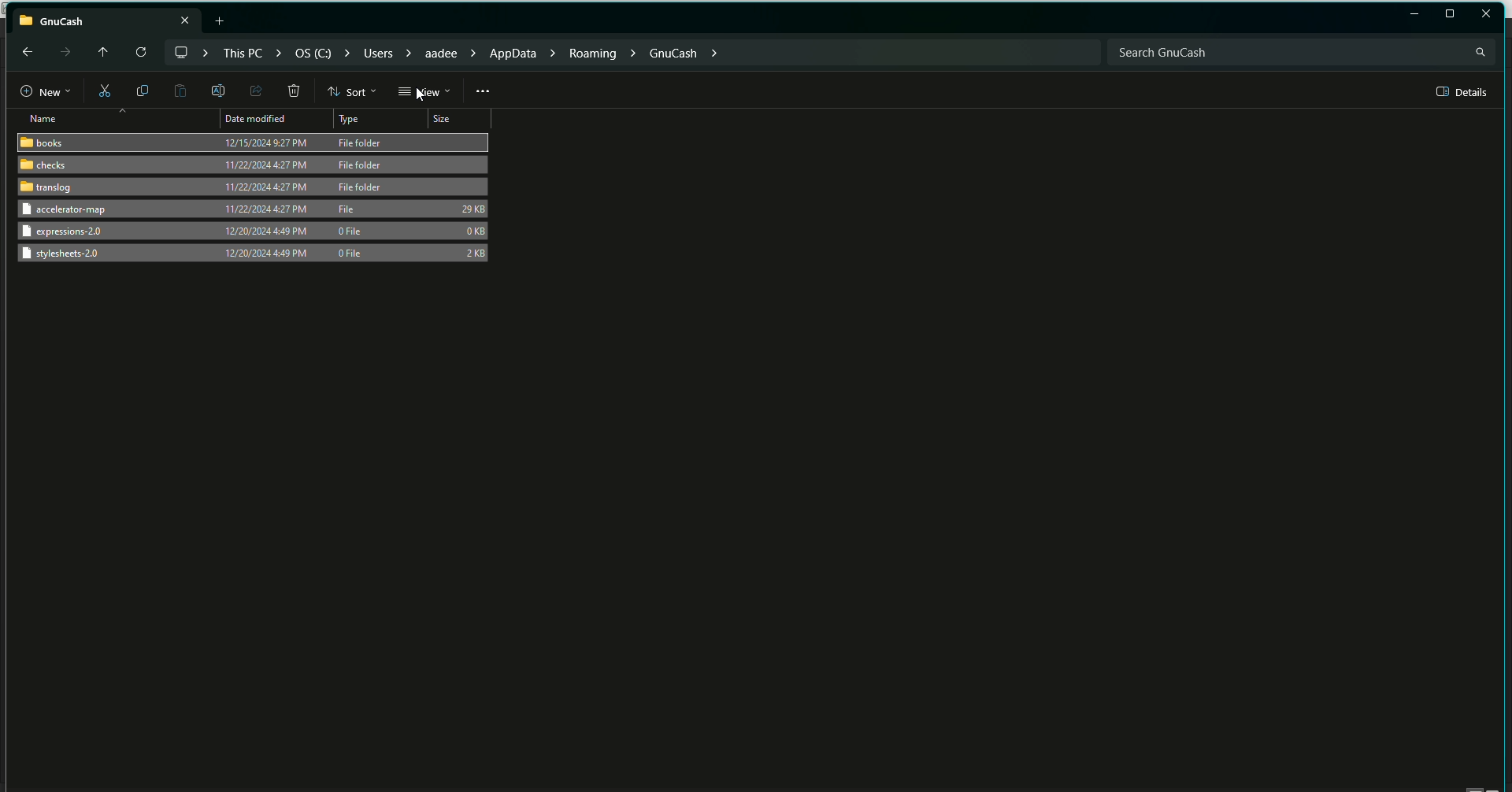 This screenshot has width=1512, height=792. What do you see at coordinates (67, 231) in the screenshot?
I see `expressions` at bounding box center [67, 231].